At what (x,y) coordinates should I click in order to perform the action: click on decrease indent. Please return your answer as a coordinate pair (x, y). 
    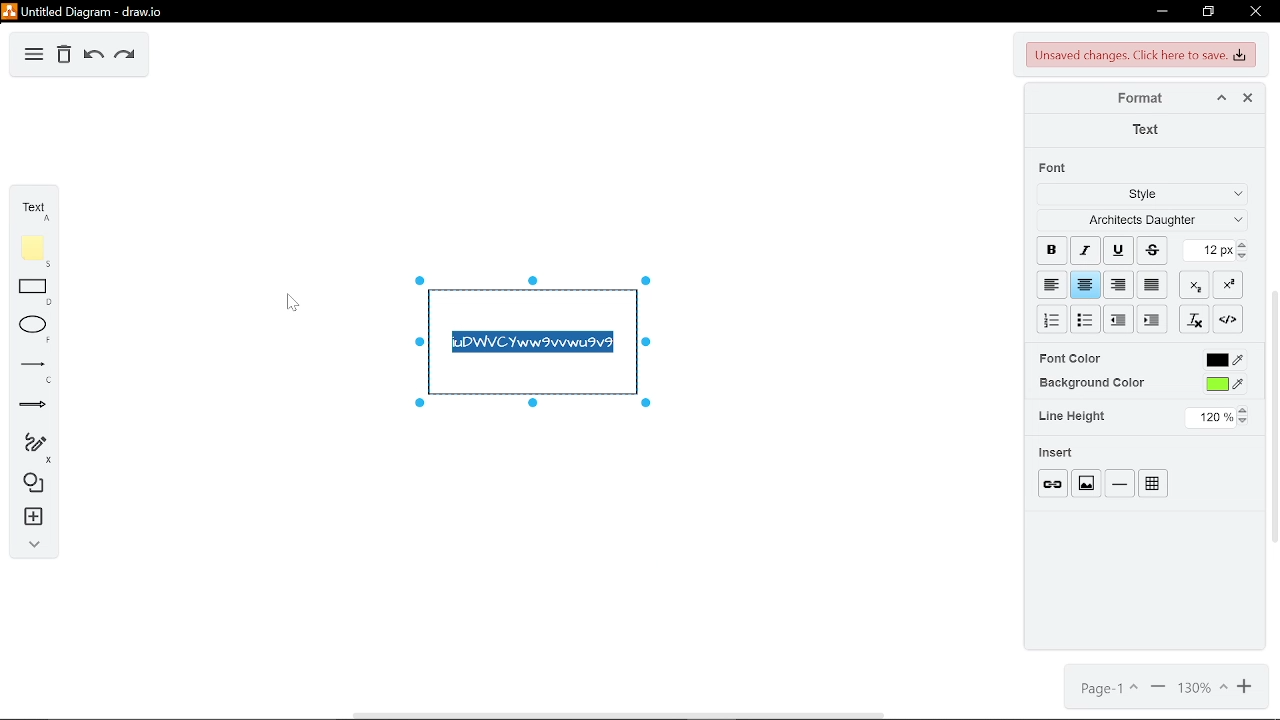
    Looking at the image, I should click on (1152, 320).